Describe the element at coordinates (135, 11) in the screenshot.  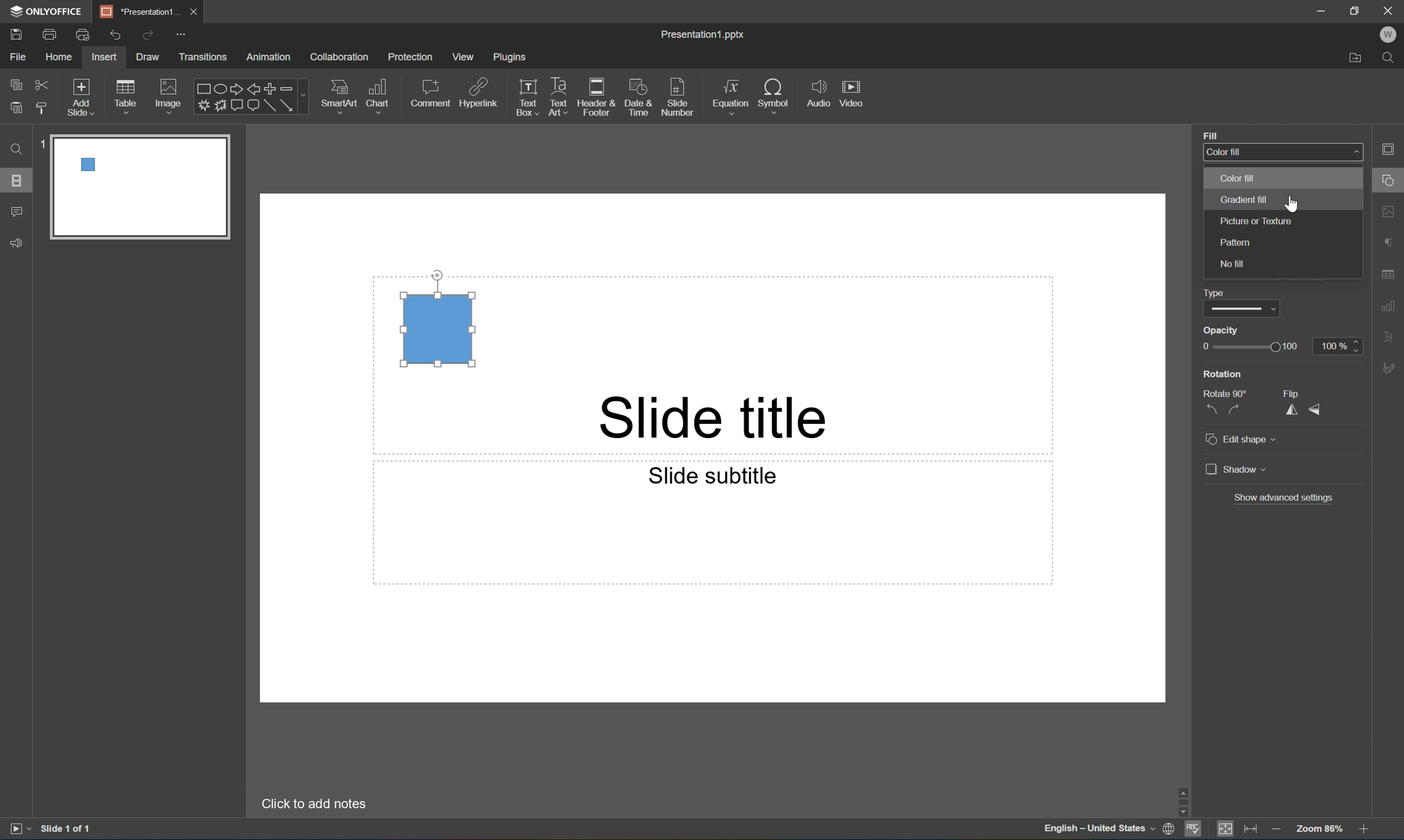
I see `Presentation1...` at that location.